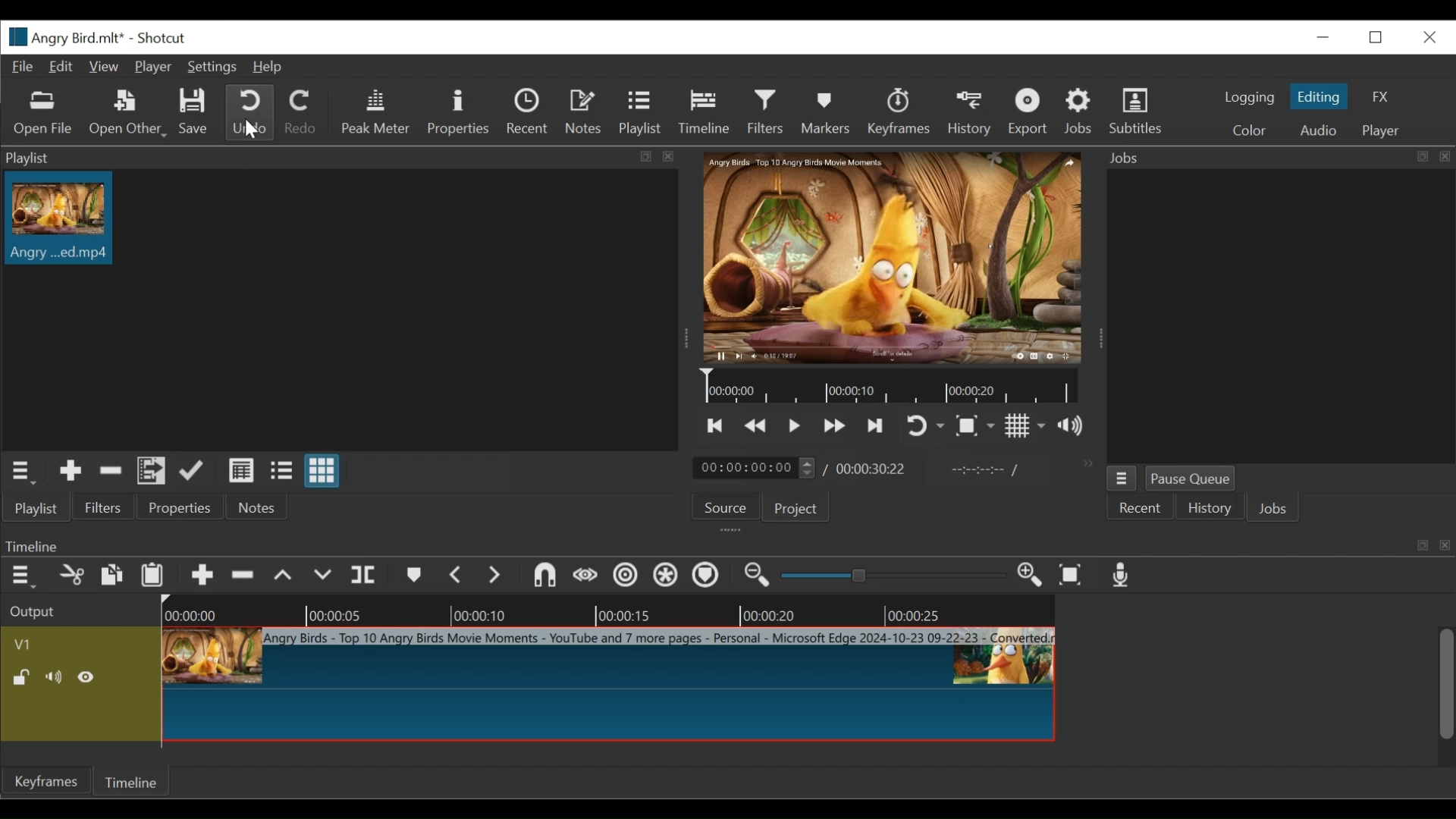 The width and height of the screenshot is (1456, 819). What do you see at coordinates (1319, 129) in the screenshot?
I see `Audio` at bounding box center [1319, 129].